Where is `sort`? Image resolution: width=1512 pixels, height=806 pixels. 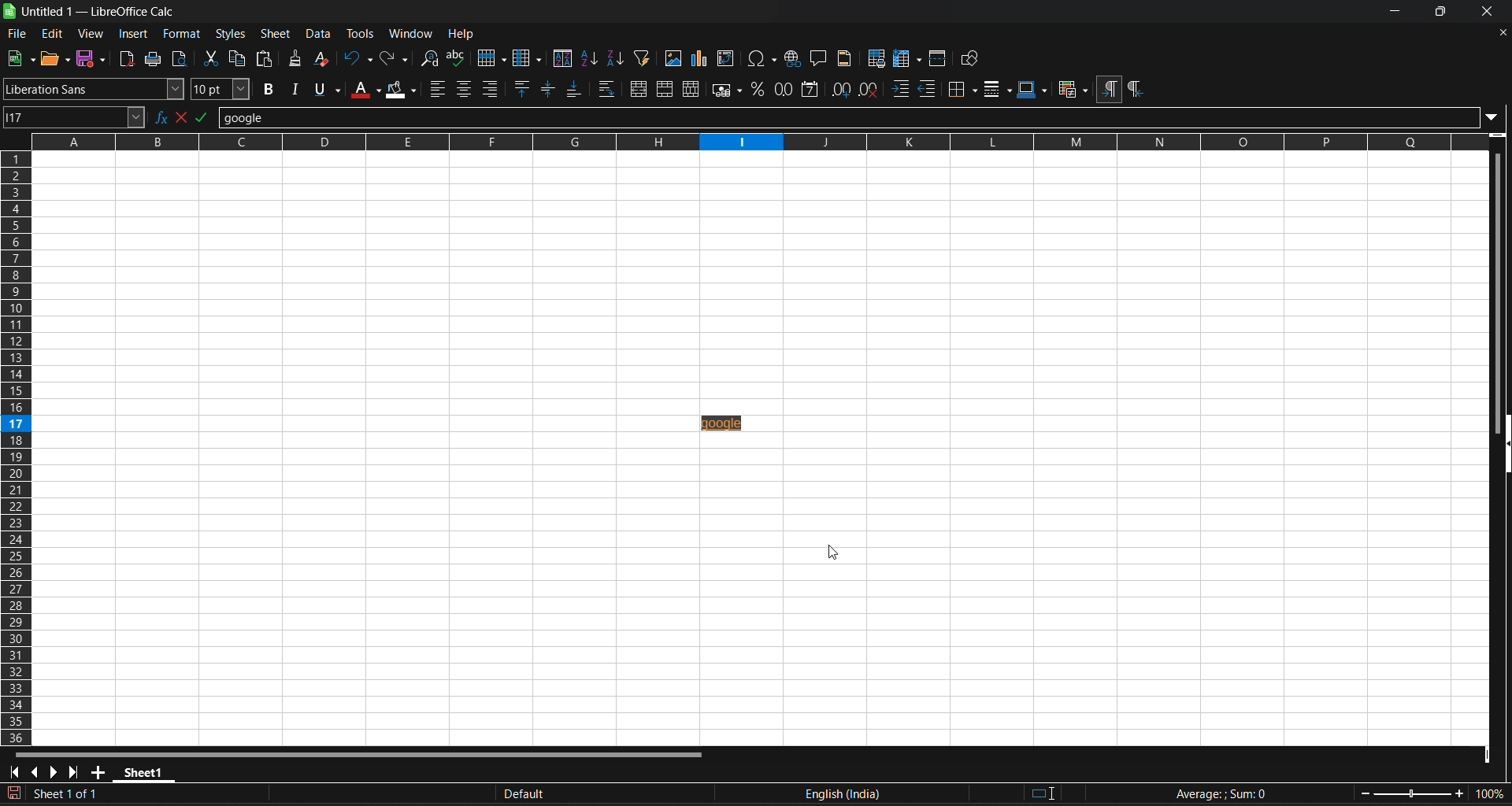
sort is located at coordinates (563, 57).